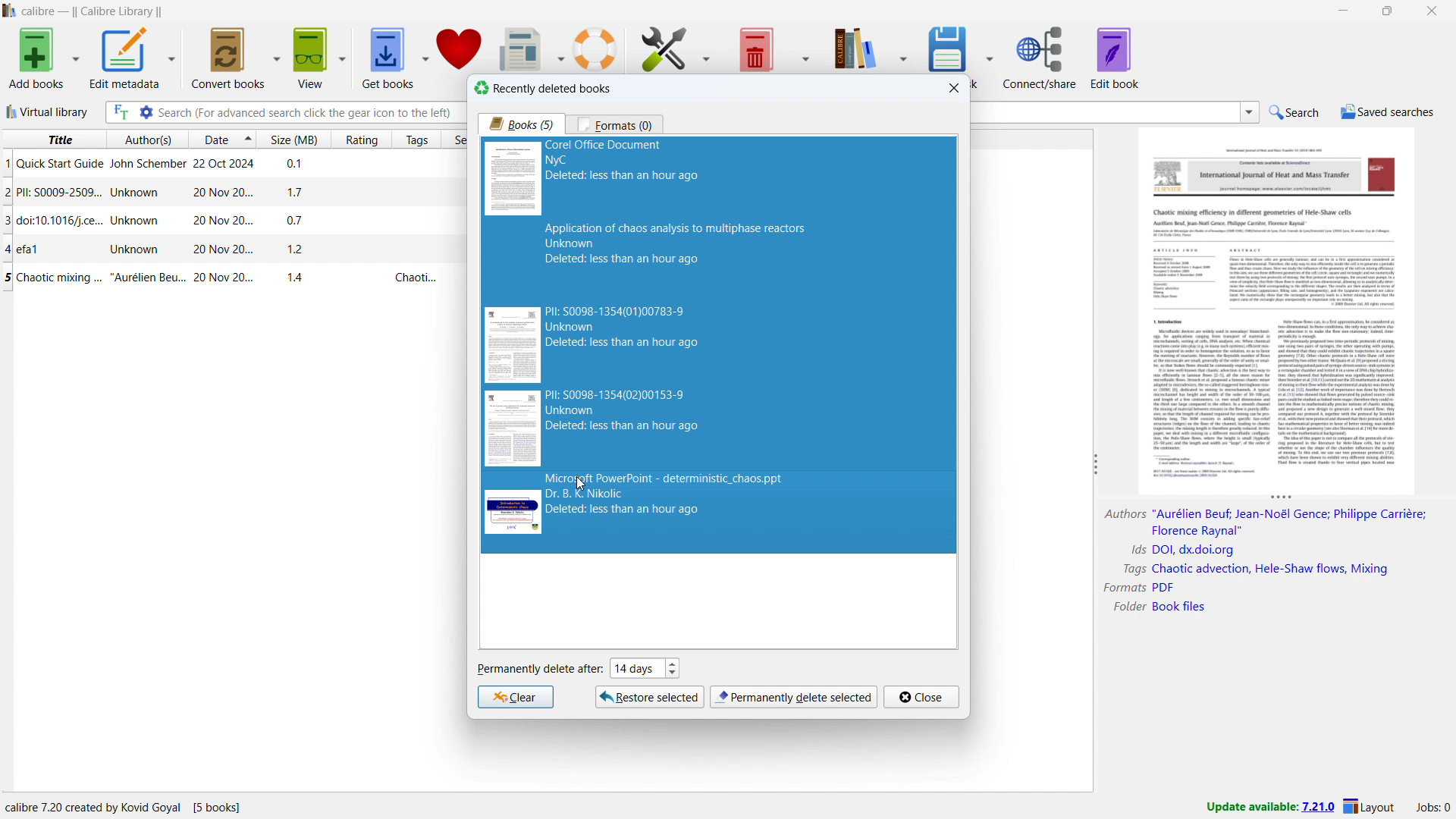 Image resolution: width=1456 pixels, height=819 pixels. What do you see at coordinates (229, 58) in the screenshot?
I see `convert books` at bounding box center [229, 58].